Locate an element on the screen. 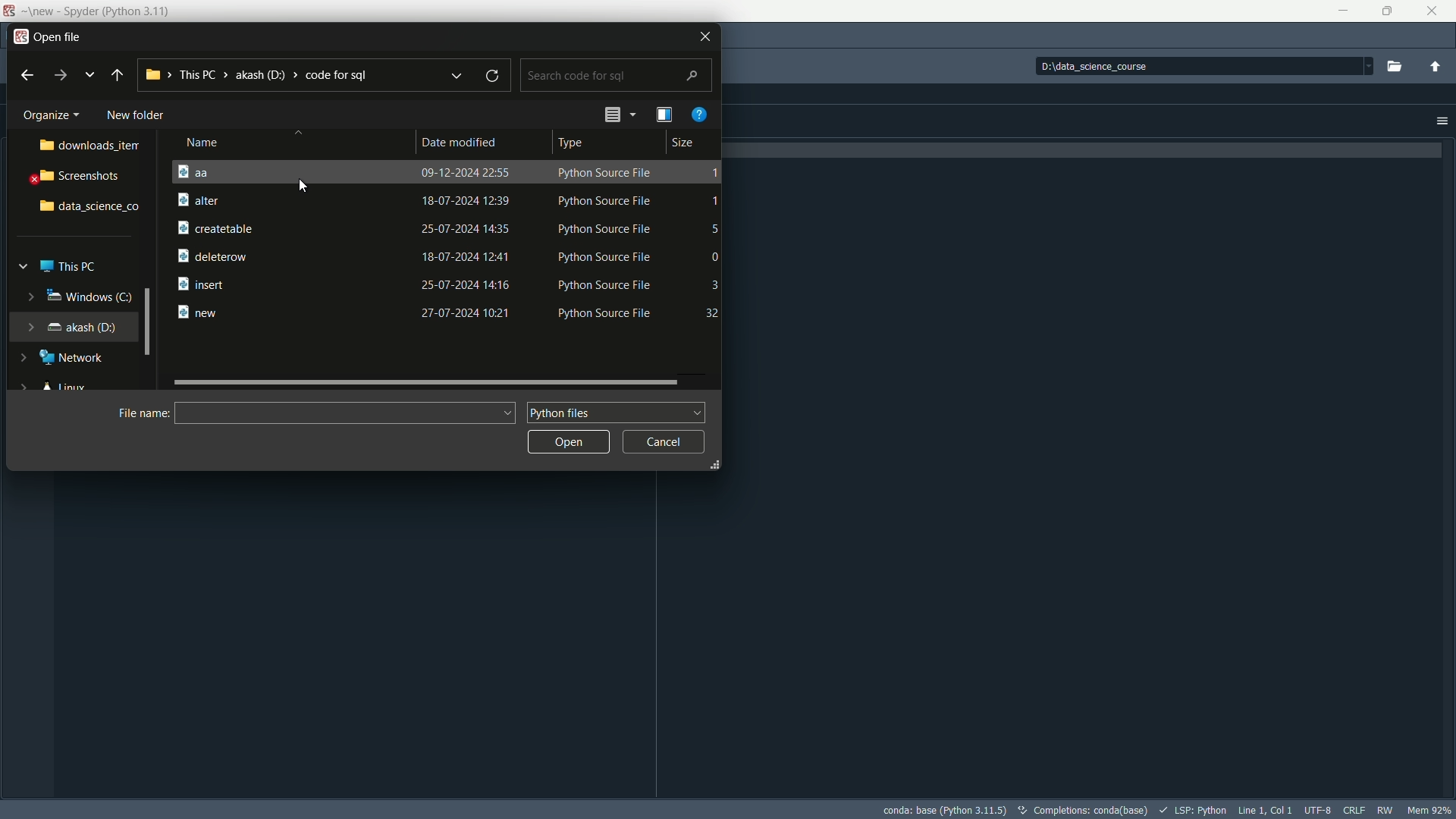 This screenshot has width=1456, height=819. directory is located at coordinates (262, 74).